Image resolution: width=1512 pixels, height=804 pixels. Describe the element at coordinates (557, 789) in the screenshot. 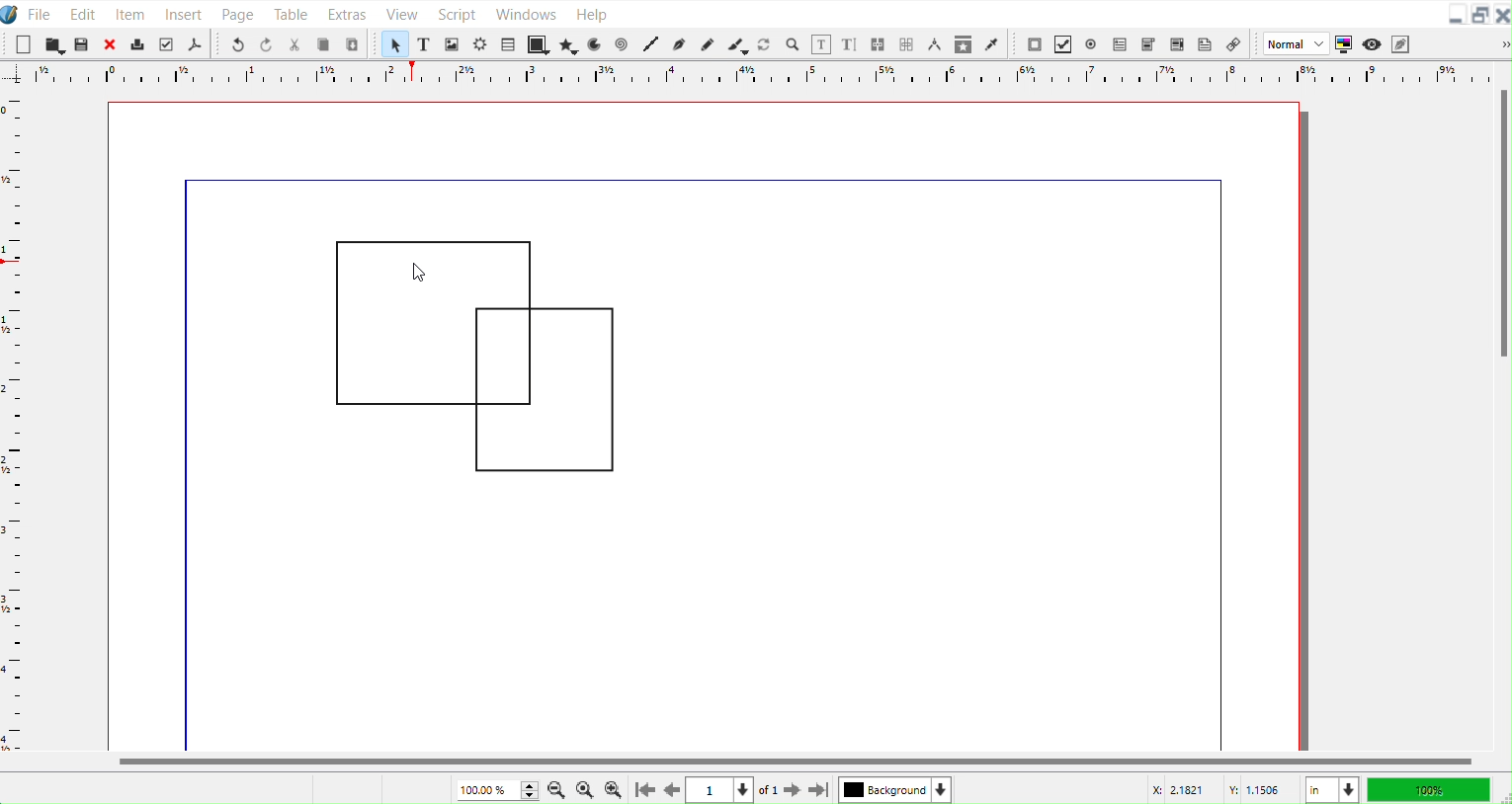

I see `Zoom Out` at that location.